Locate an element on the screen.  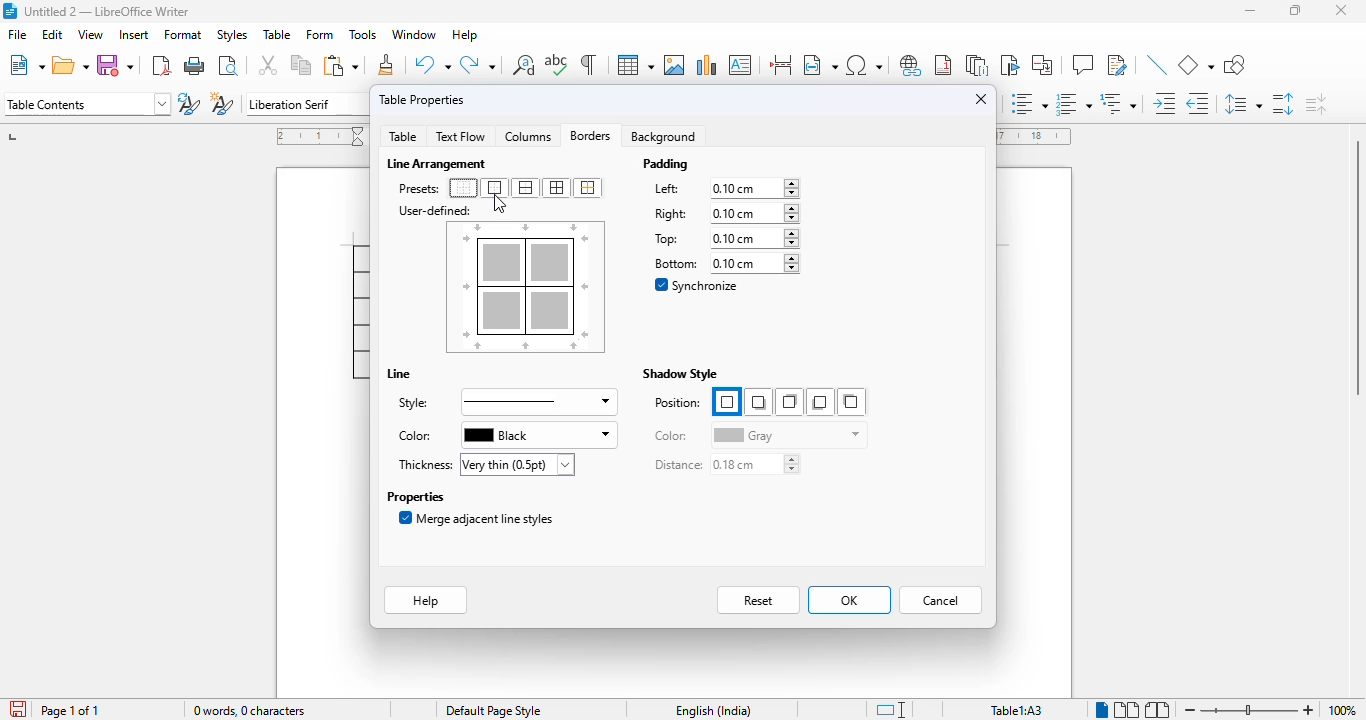
new style from selection is located at coordinates (221, 103).